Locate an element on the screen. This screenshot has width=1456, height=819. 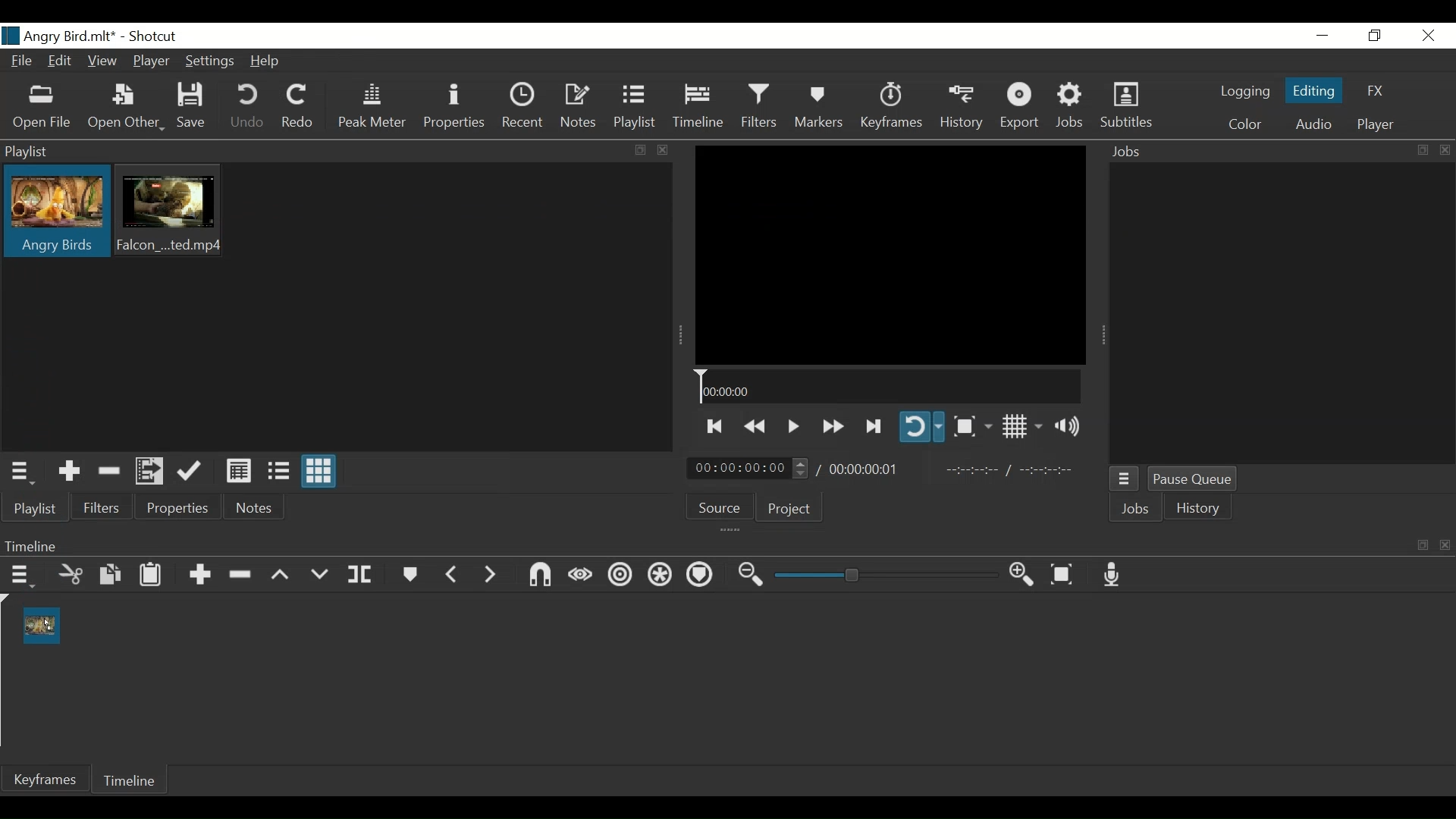
Skip to the next point is located at coordinates (872, 425).